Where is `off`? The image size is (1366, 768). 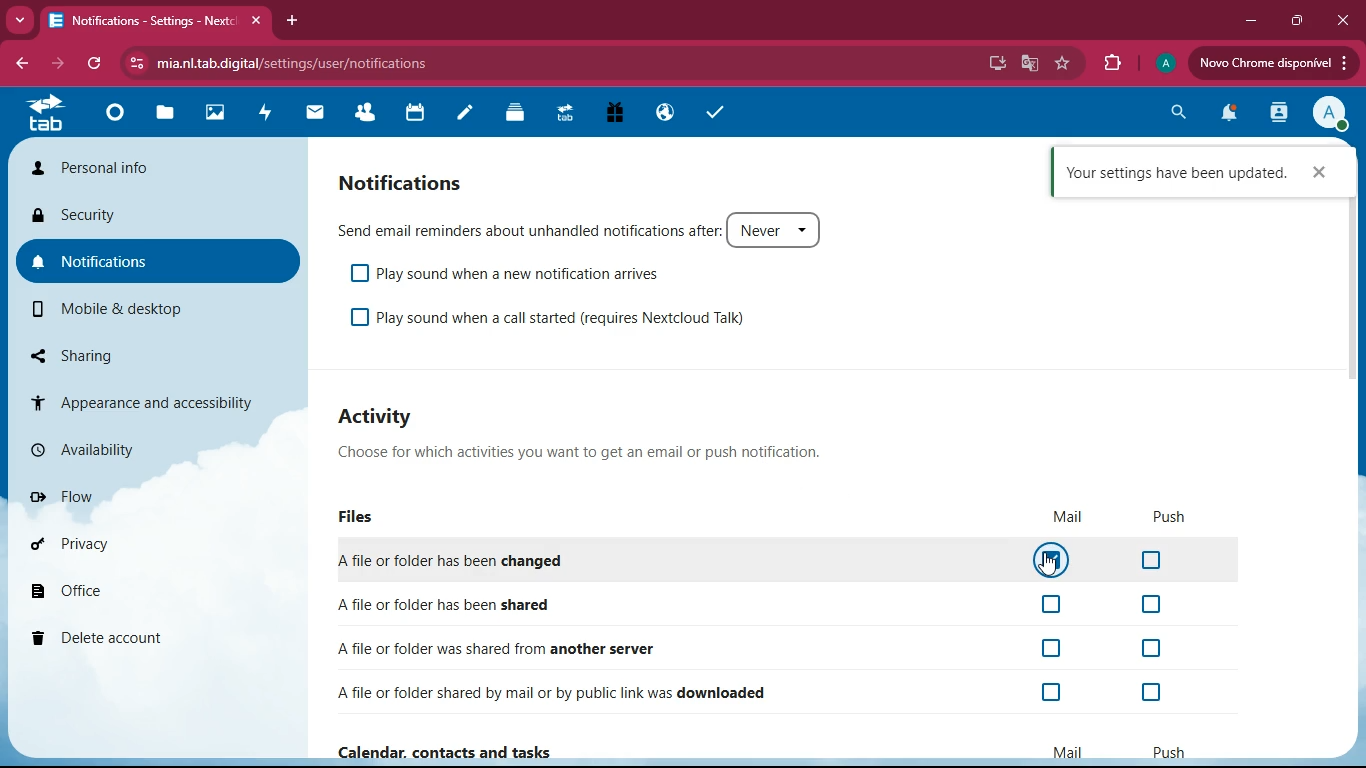 off is located at coordinates (1148, 693).